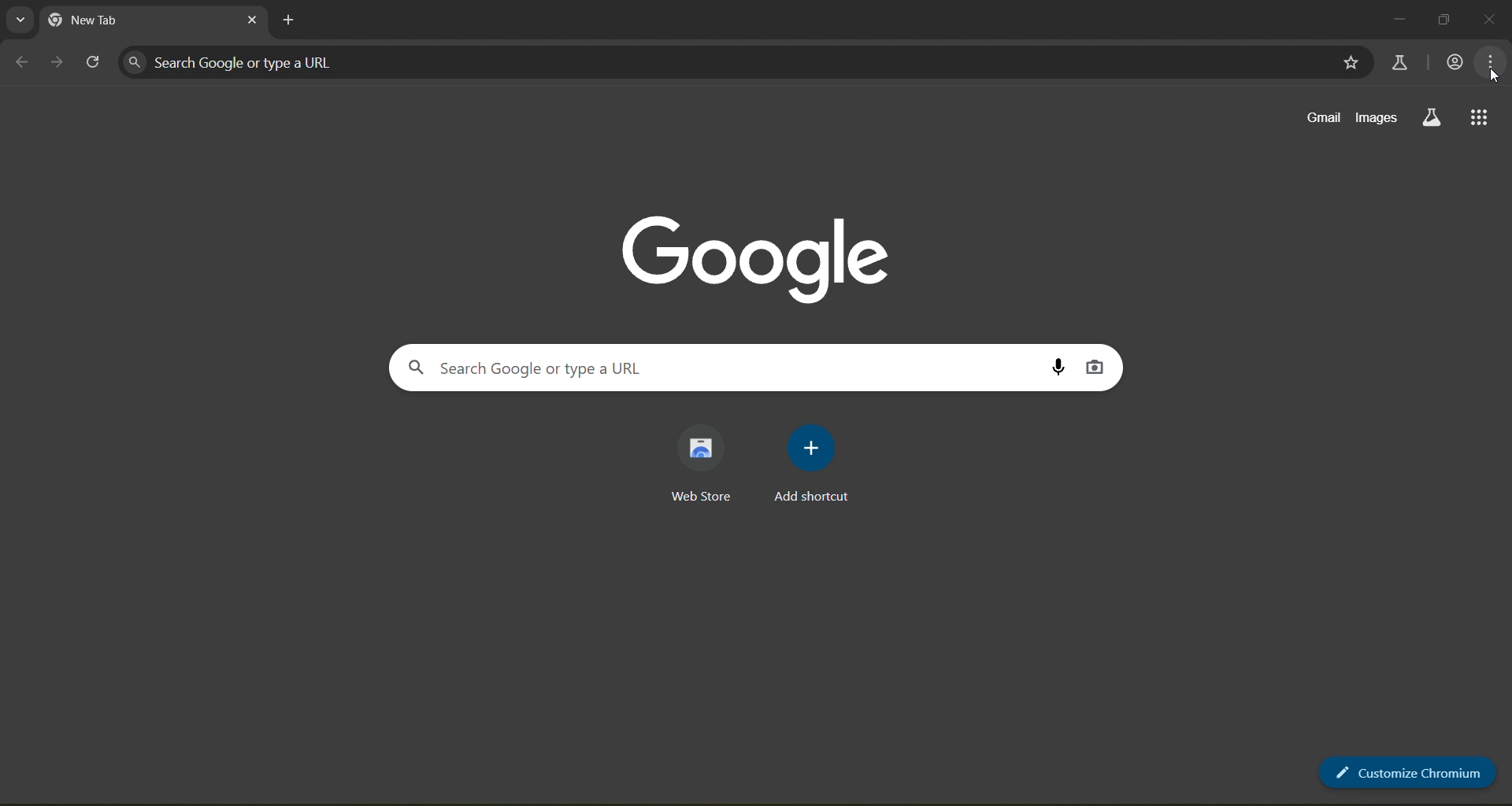 This screenshot has width=1512, height=806. Describe the element at coordinates (1095, 368) in the screenshot. I see `image search ` at that location.